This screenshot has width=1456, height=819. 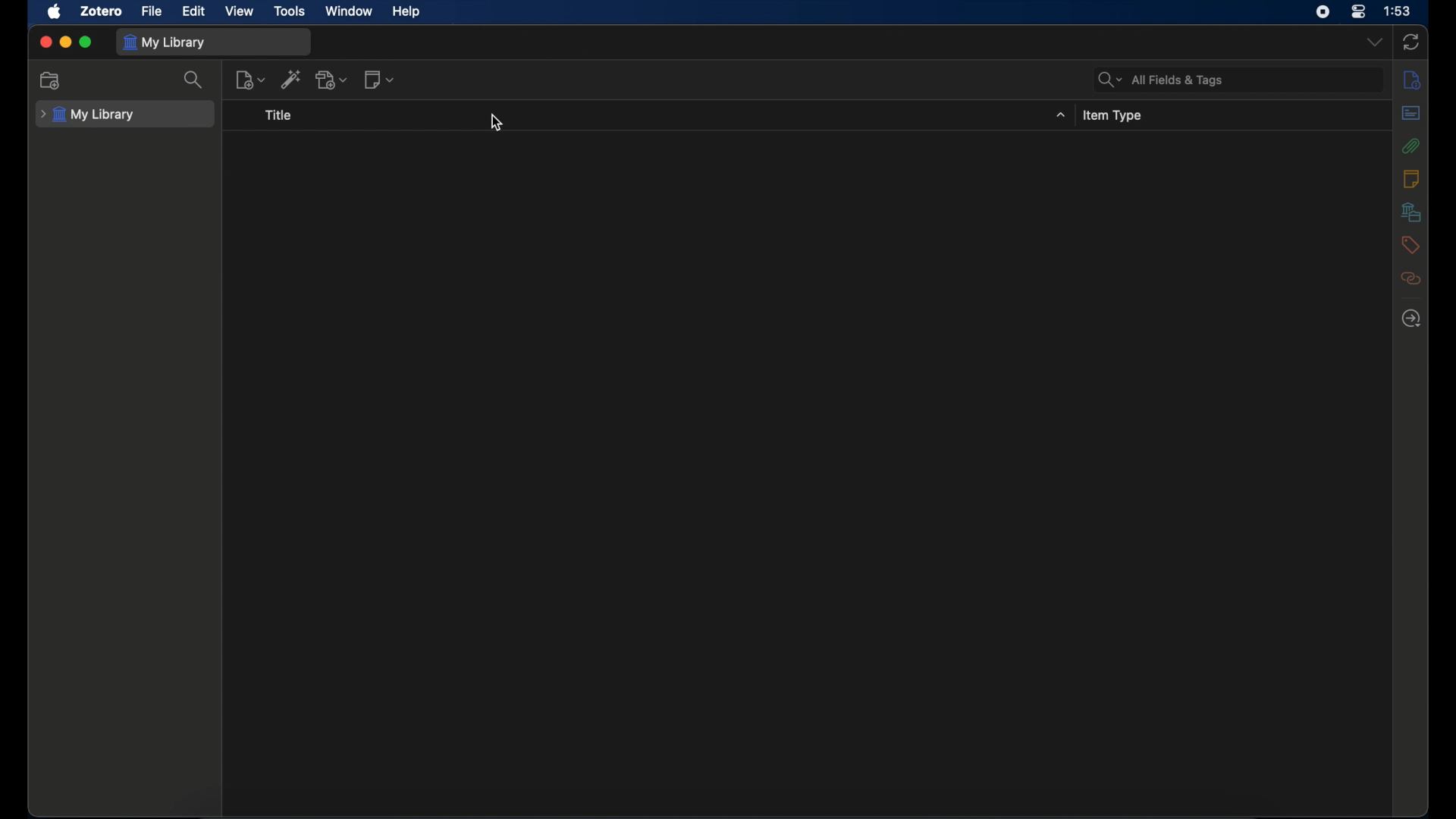 What do you see at coordinates (45, 42) in the screenshot?
I see `close` at bounding box center [45, 42].